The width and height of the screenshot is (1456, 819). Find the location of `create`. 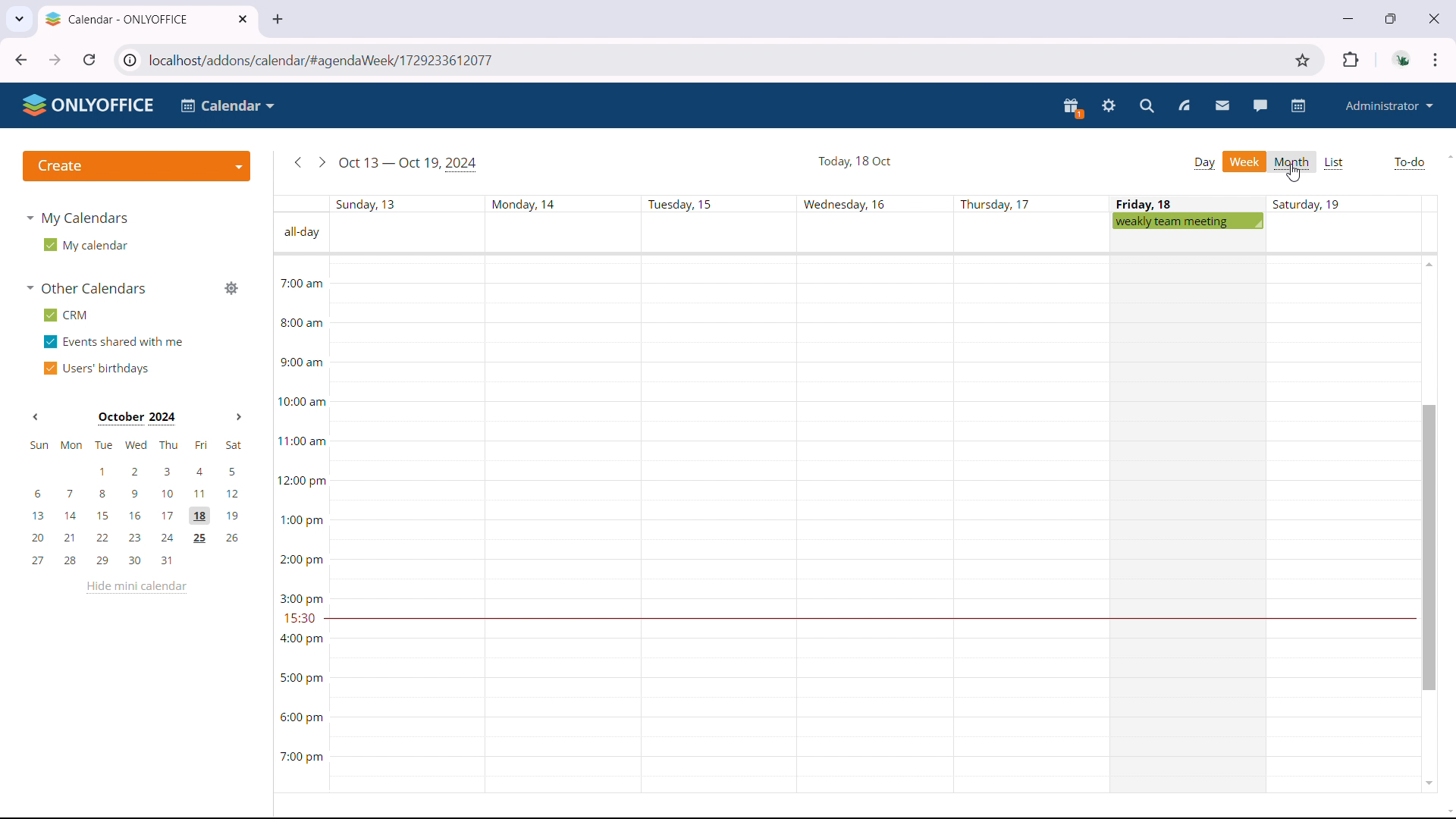

create is located at coordinates (136, 167).